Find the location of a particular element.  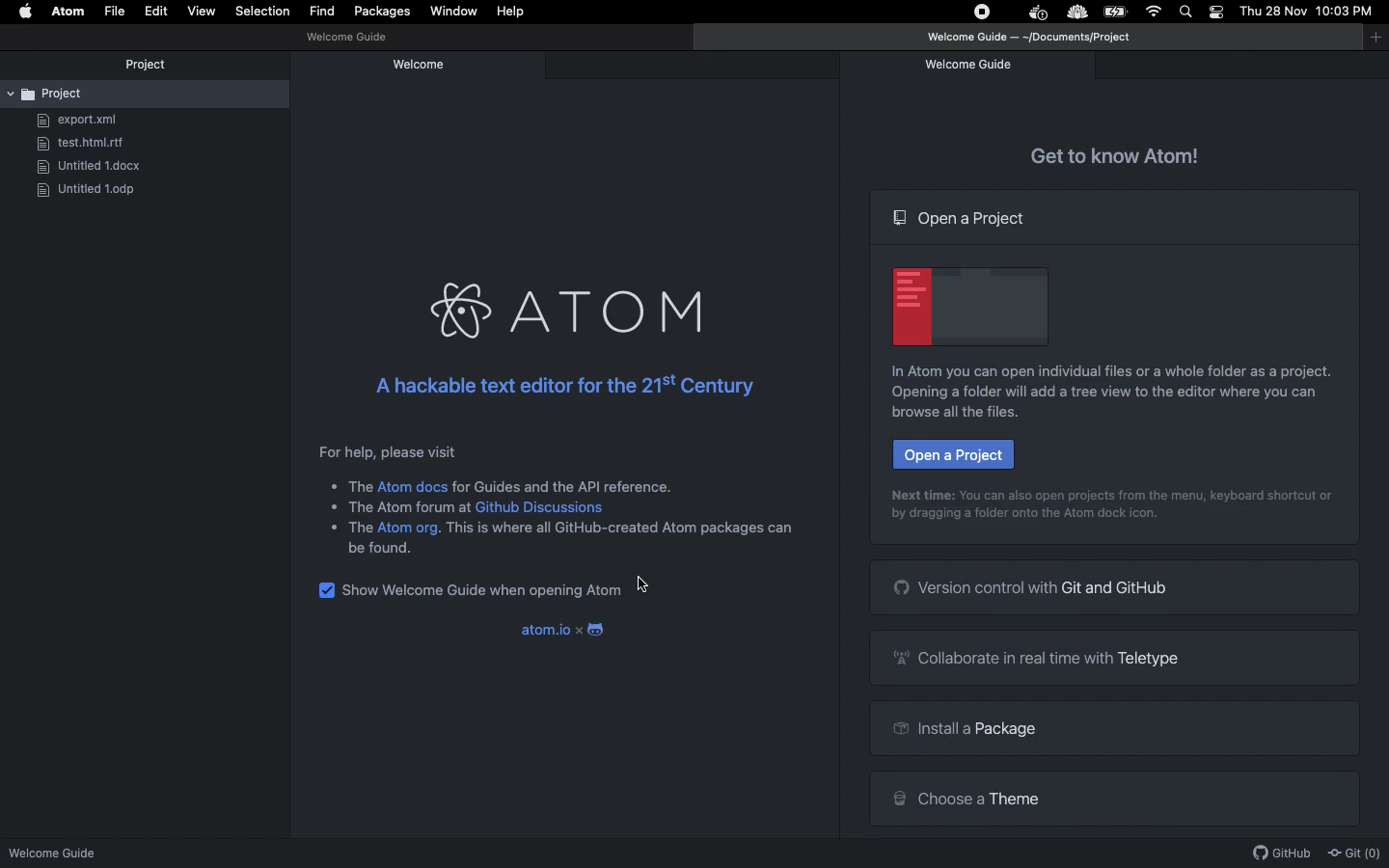

Git is located at coordinates (1352, 854).